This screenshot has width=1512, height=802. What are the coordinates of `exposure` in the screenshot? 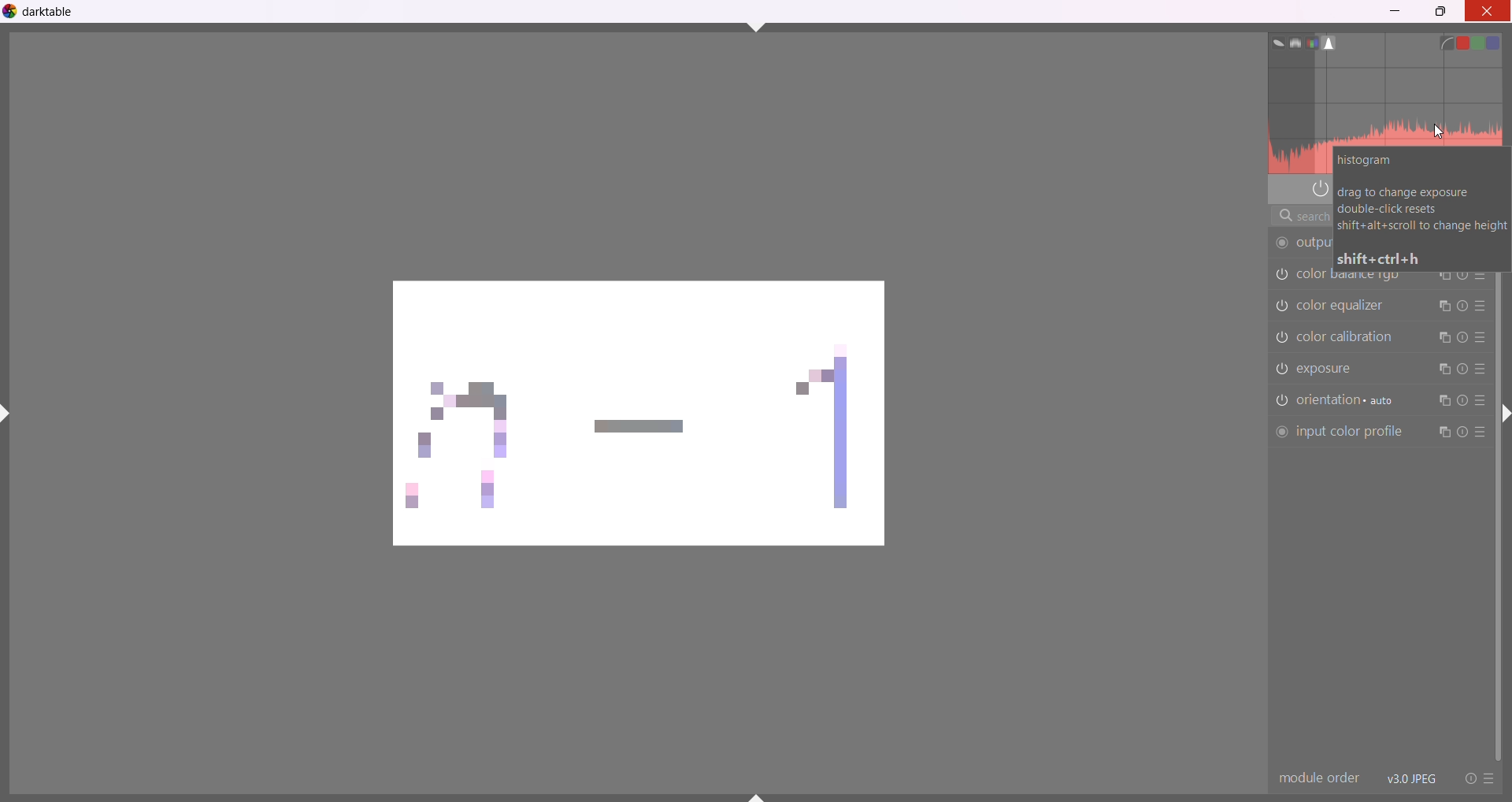 It's located at (1337, 370).